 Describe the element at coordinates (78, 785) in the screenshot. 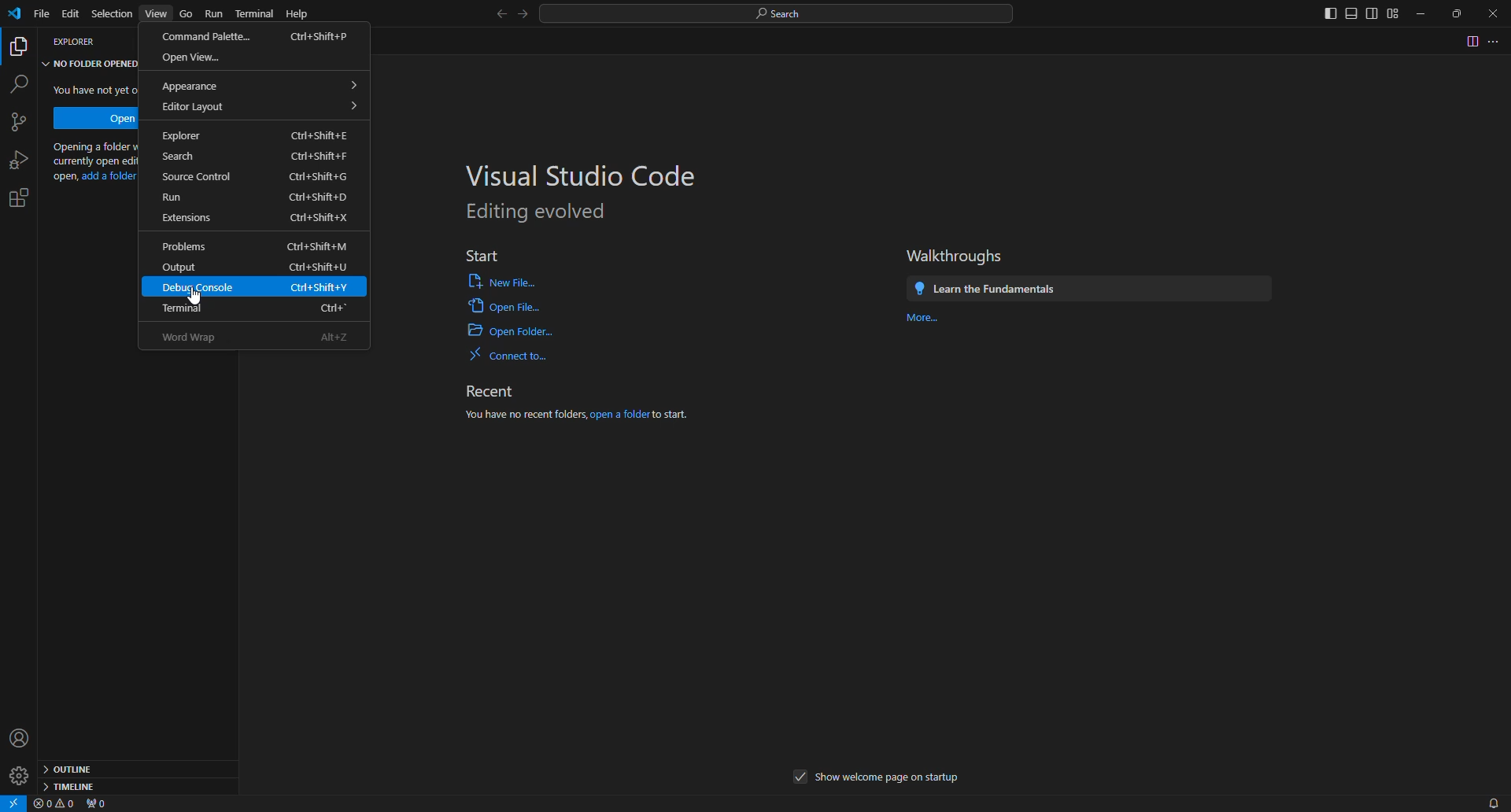

I see `timeline` at that location.